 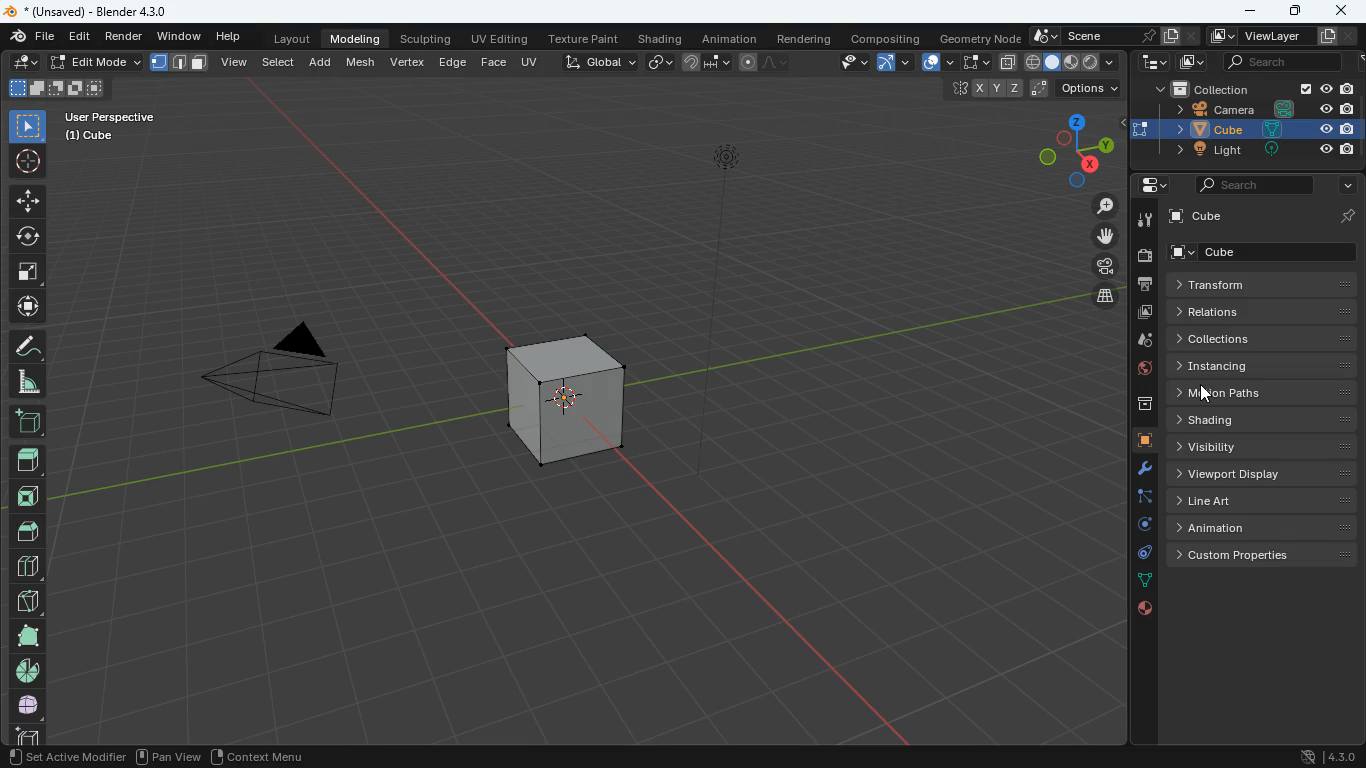 I want to click on blender, so click(x=97, y=11).